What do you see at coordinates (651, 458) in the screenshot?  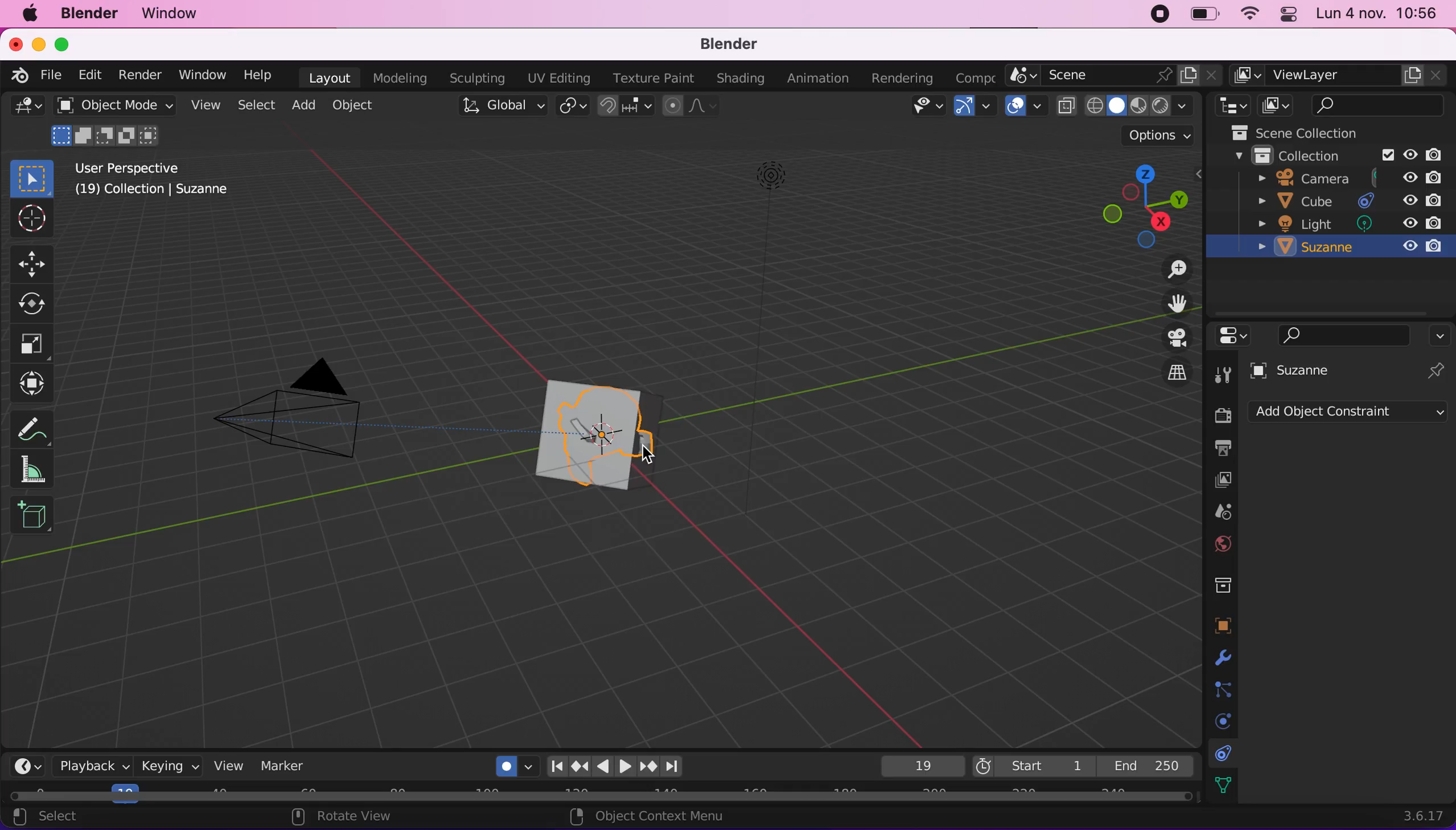 I see `cursor` at bounding box center [651, 458].